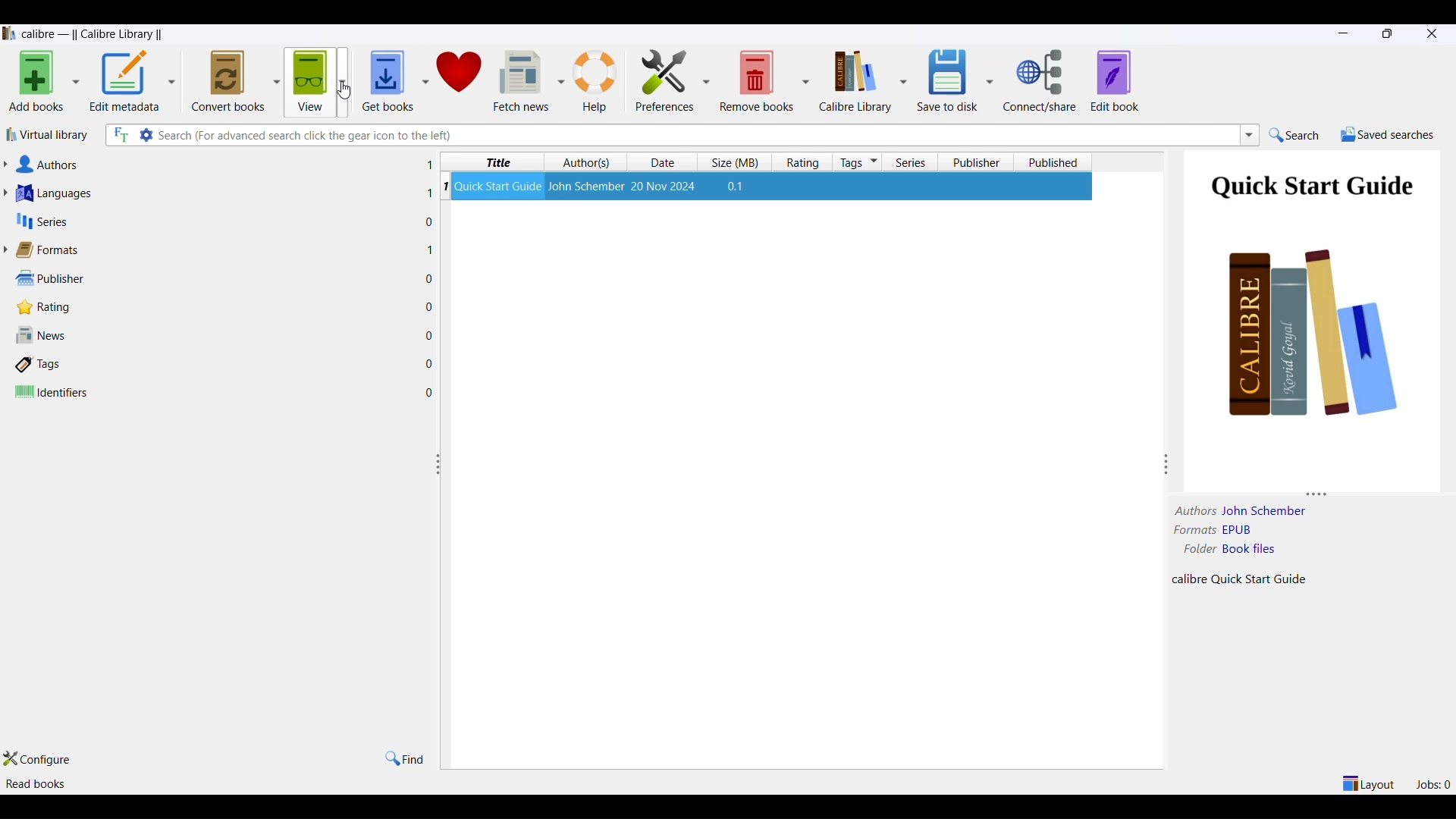 Image resolution: width=1456 pixels, height=819 pixels. I want to click on virtual library, so click(52, 134).